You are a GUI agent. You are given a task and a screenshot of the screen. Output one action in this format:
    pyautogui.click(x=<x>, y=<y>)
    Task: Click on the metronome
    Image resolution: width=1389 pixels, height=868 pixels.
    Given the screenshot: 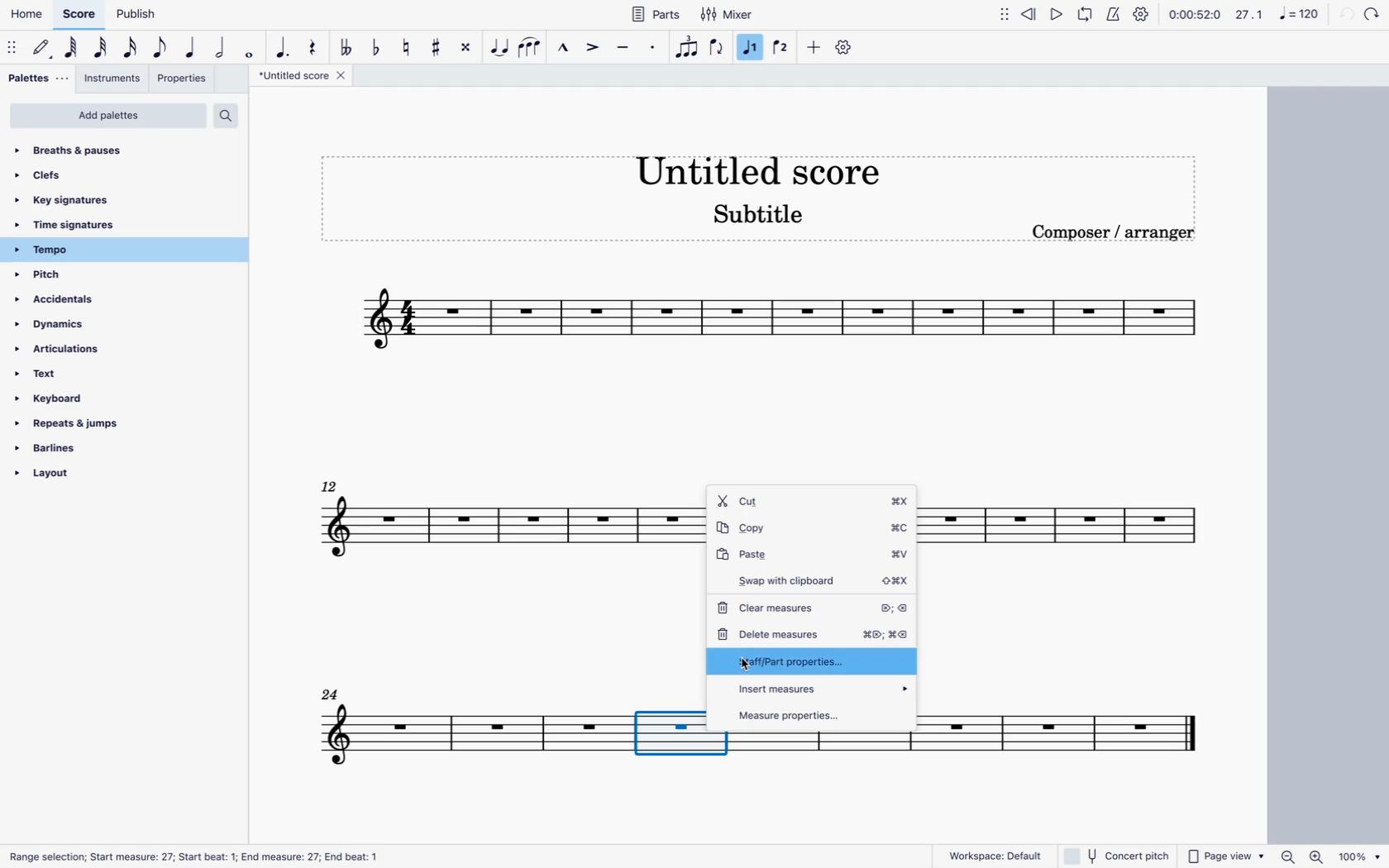 What is the action you would take?
    pyautogui.click(x=1117, y=13)
    